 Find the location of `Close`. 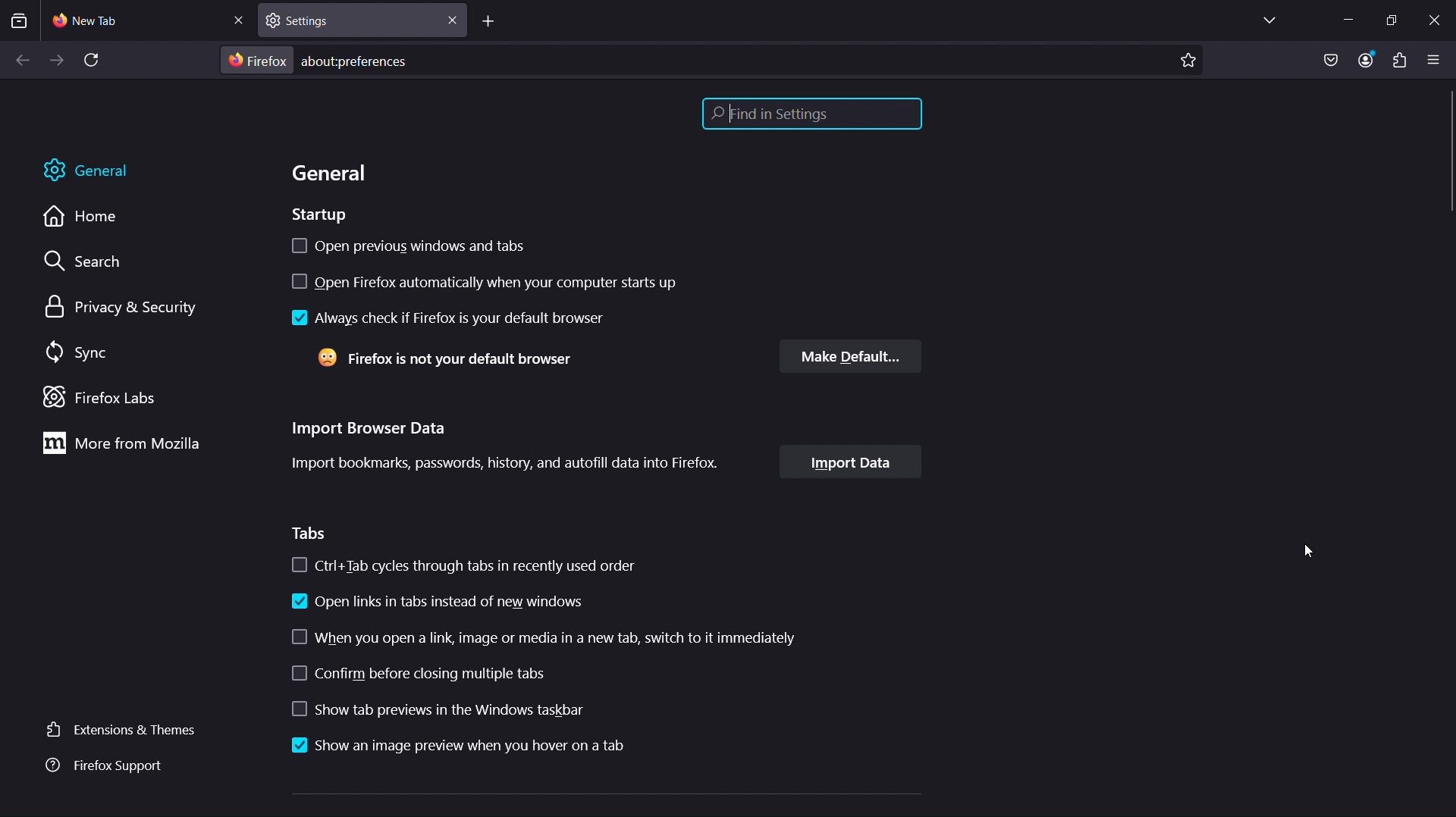

Close is located at coordinates (1436, 17).